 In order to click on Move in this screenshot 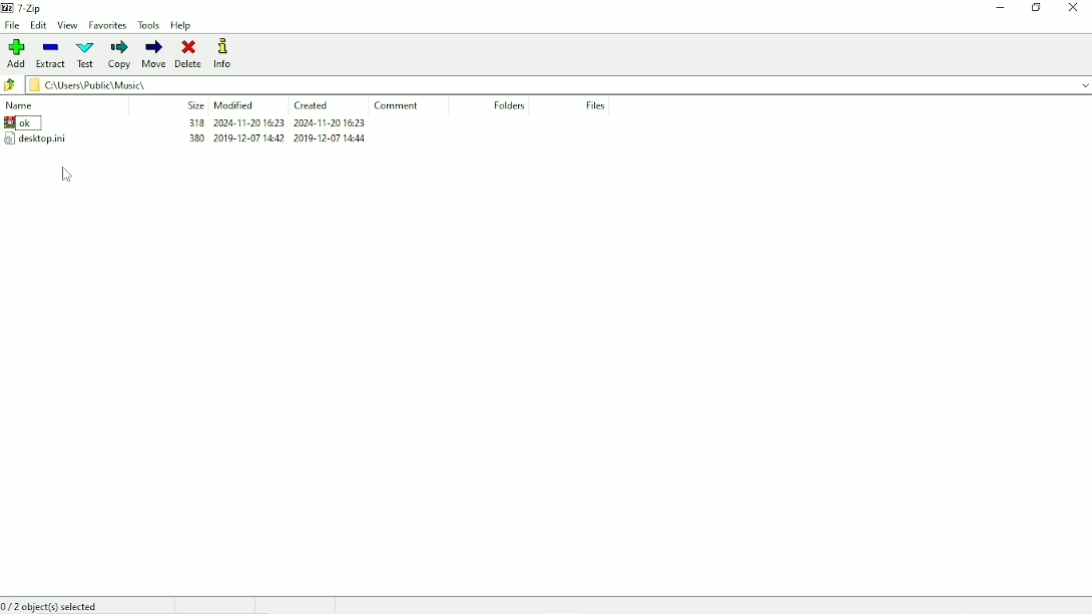, I will do `click(153, 54)`.